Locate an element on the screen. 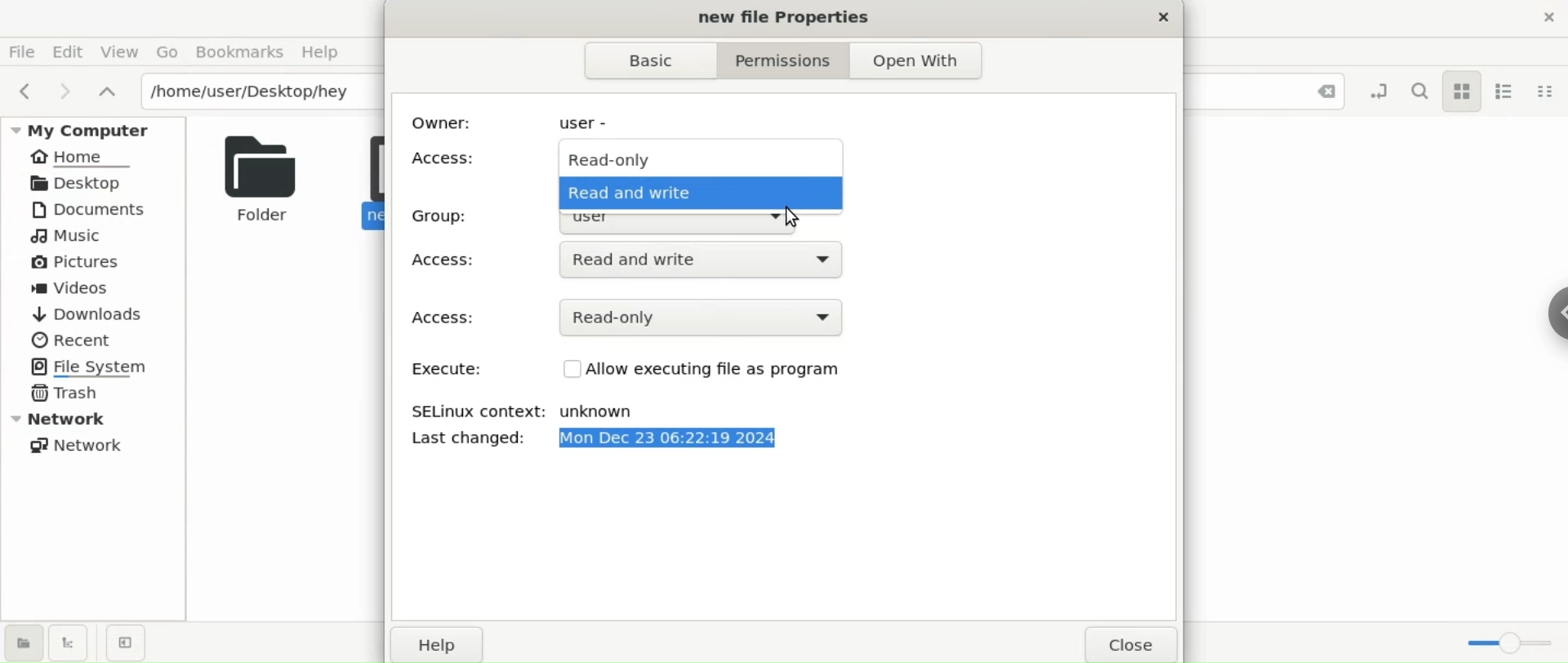  Music is located at coordinates (69, 238).